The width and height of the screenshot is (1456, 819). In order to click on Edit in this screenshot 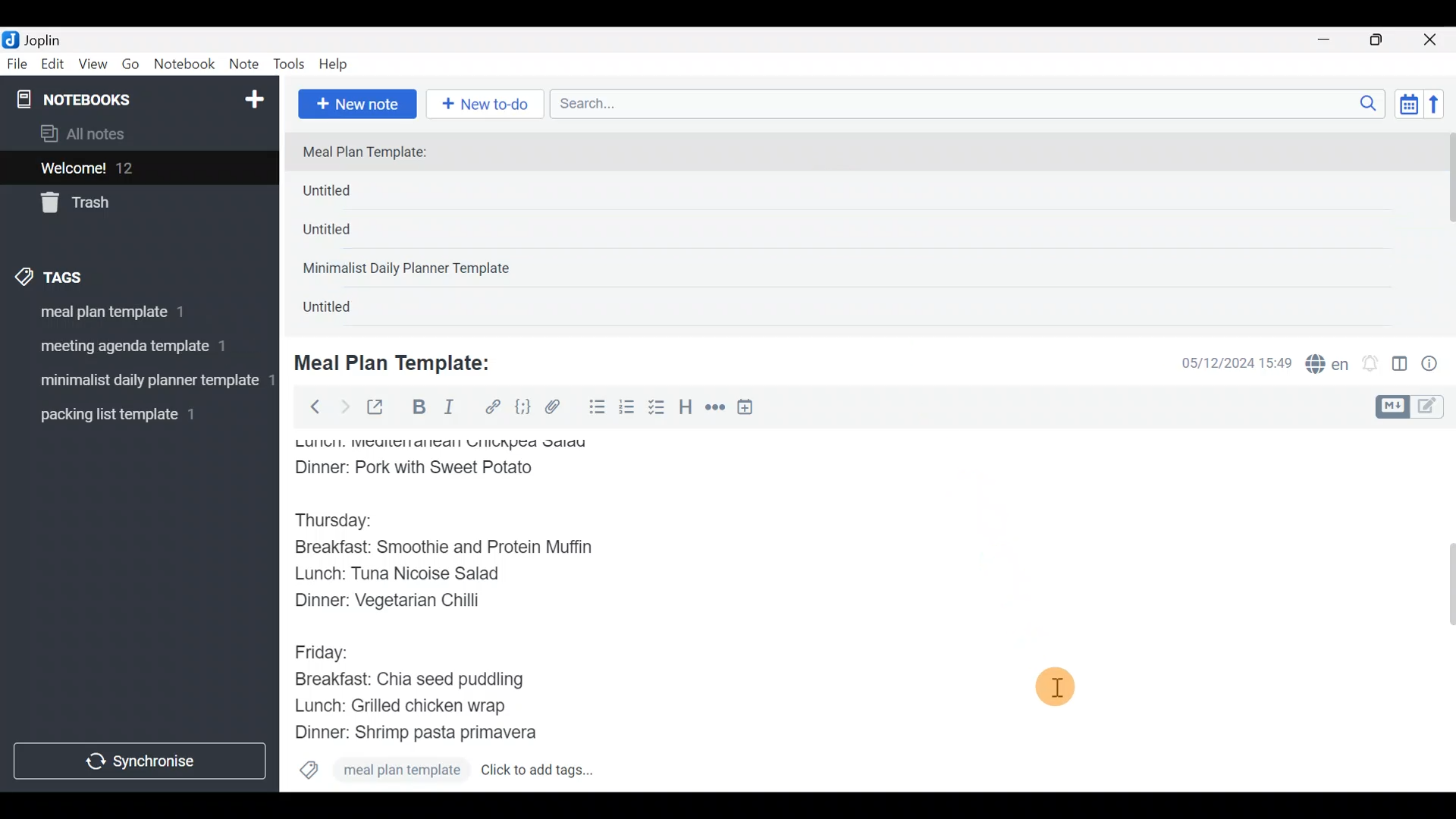, I will do `click(53, 65)`.